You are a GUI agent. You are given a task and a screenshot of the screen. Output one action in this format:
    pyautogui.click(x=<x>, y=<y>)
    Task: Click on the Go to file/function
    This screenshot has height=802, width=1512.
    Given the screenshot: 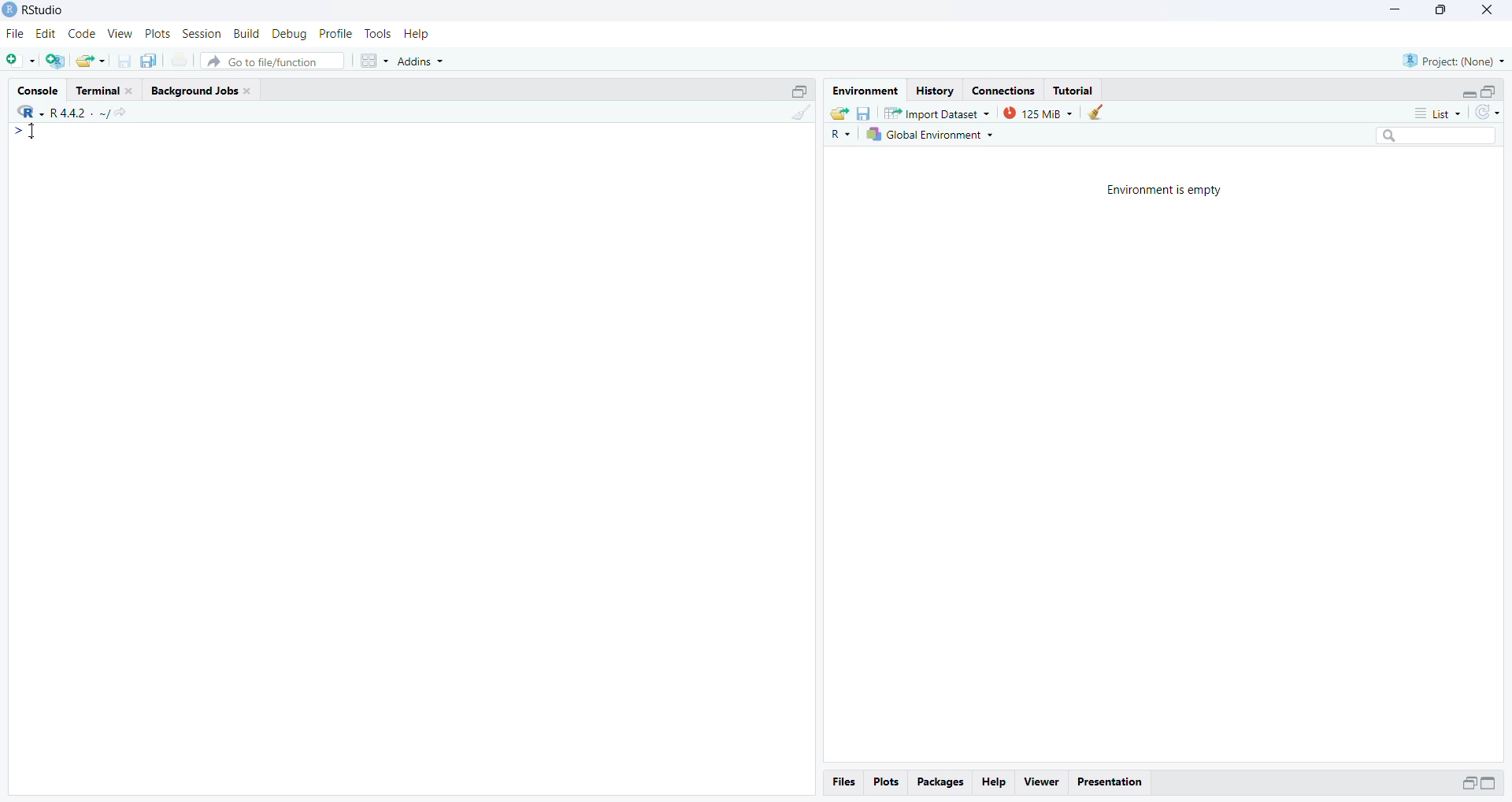 What is the action you would take?
    pyautogui.click(x=271, y=61)
    